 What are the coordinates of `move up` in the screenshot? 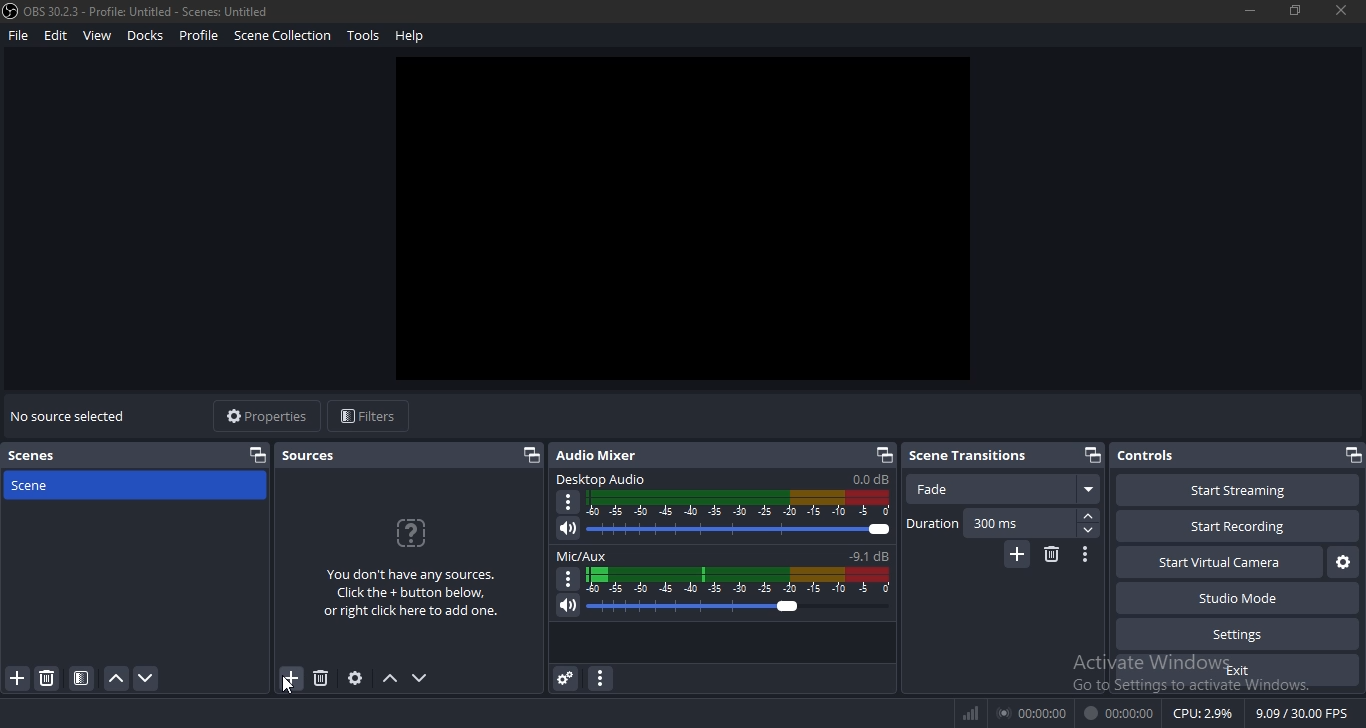 It's located at (392, 679).